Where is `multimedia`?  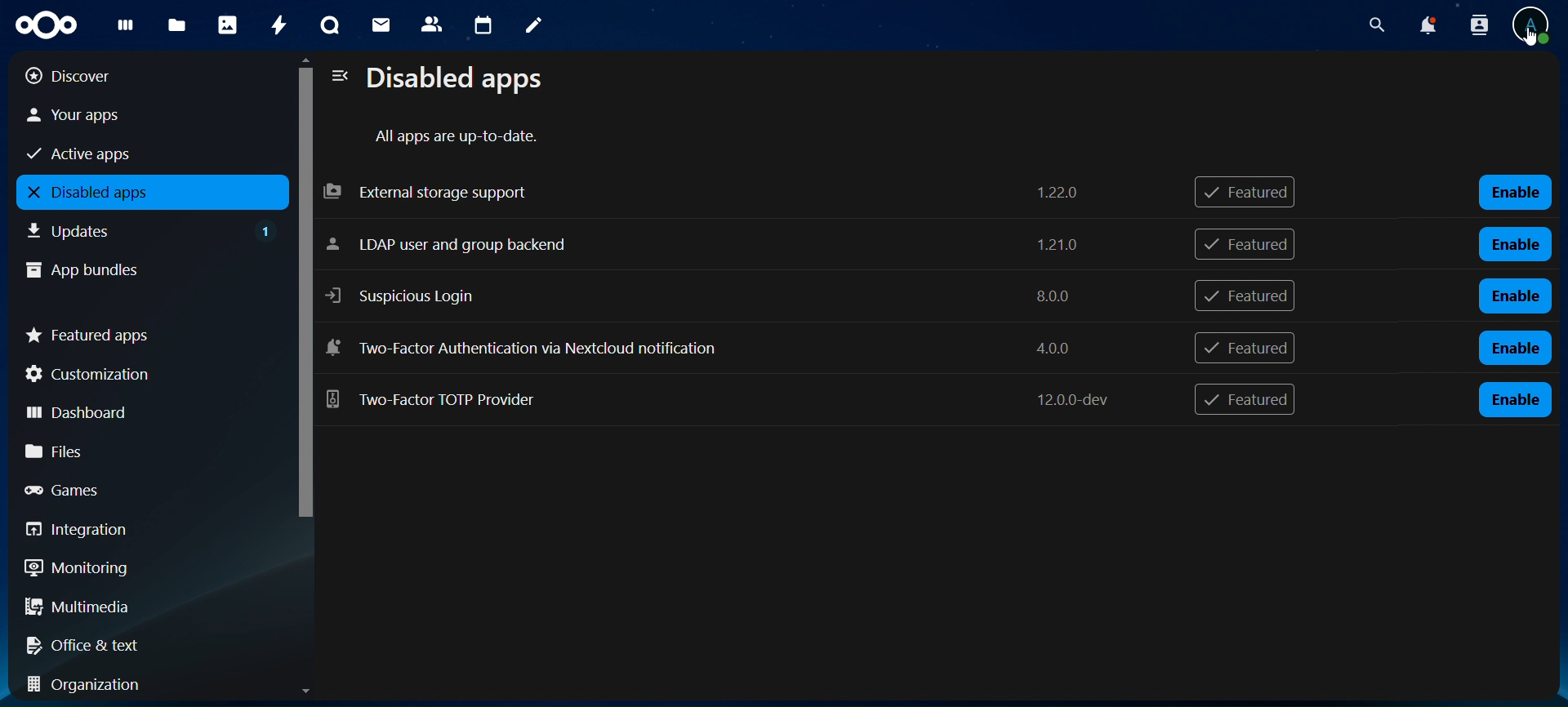
multimedia is located at coordinates (145, 610).